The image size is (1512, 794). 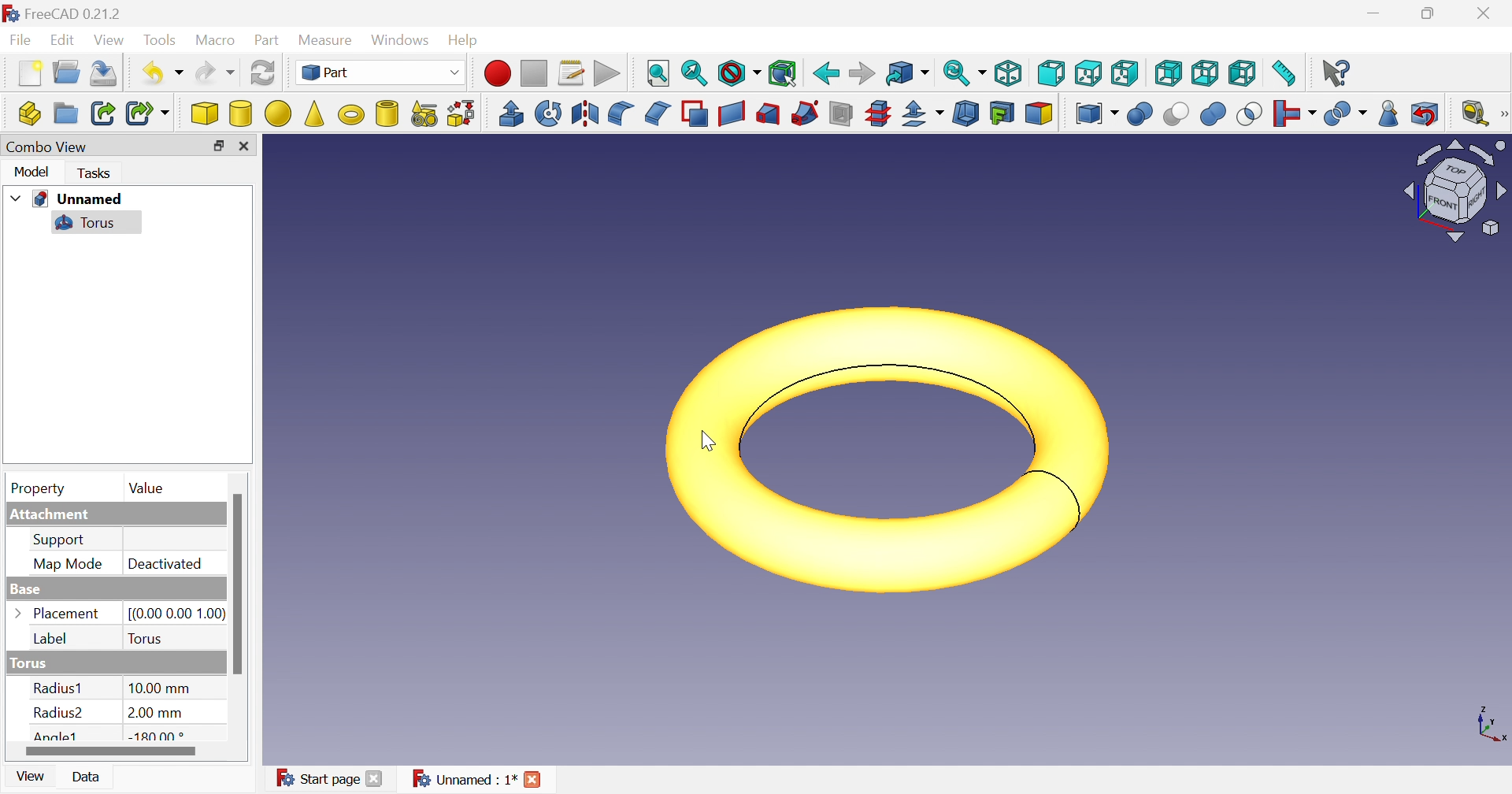 What do you see at coordinates (963, 74) in the screenshot?
I see `Sync view` at bounding box center [963, 74].